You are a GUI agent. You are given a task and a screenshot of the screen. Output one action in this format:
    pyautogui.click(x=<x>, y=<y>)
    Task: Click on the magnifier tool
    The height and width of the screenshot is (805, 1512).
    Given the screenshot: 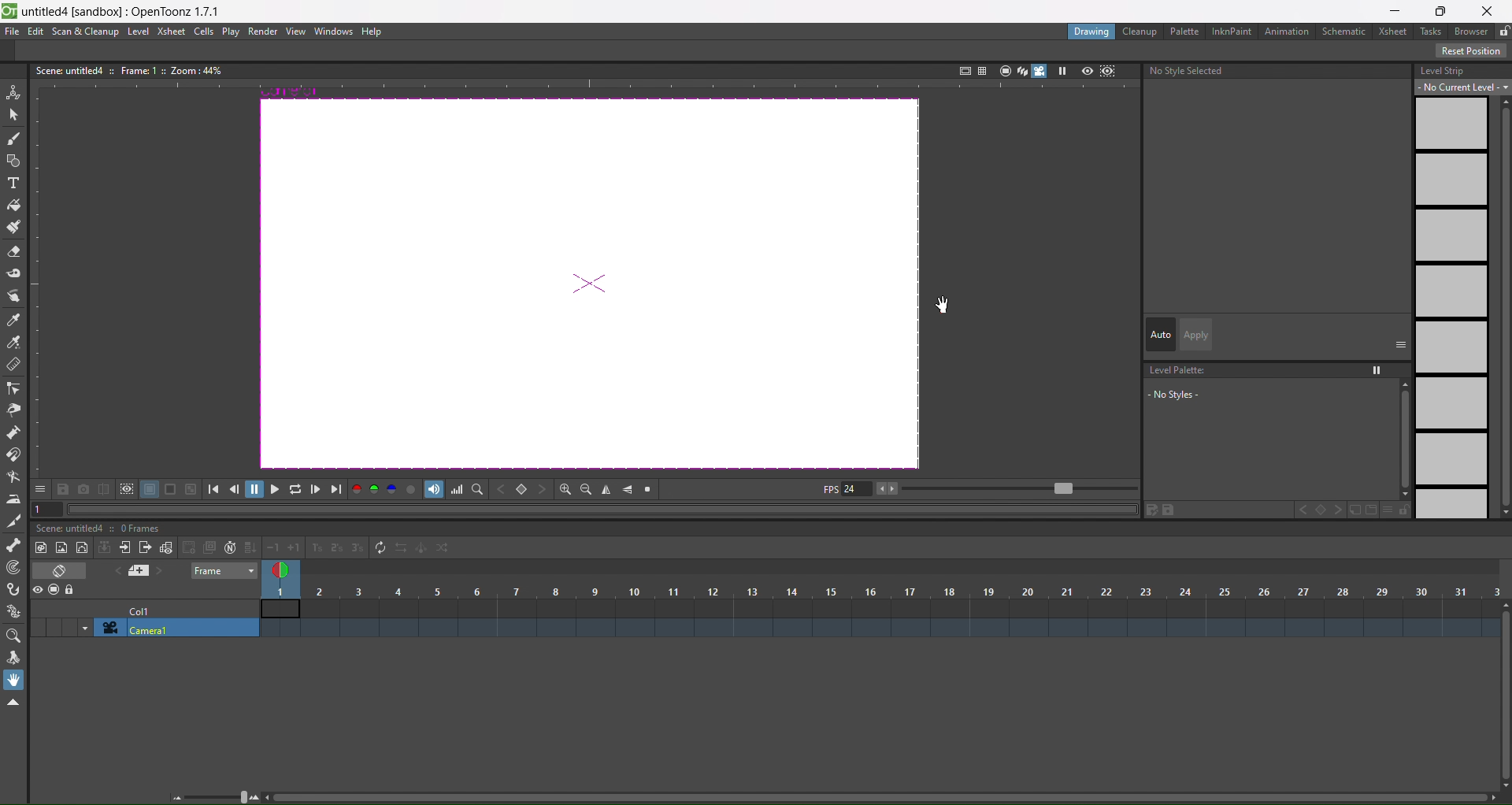 What is the action you would take?
    pyautogui.click(x=17, y=636)
    